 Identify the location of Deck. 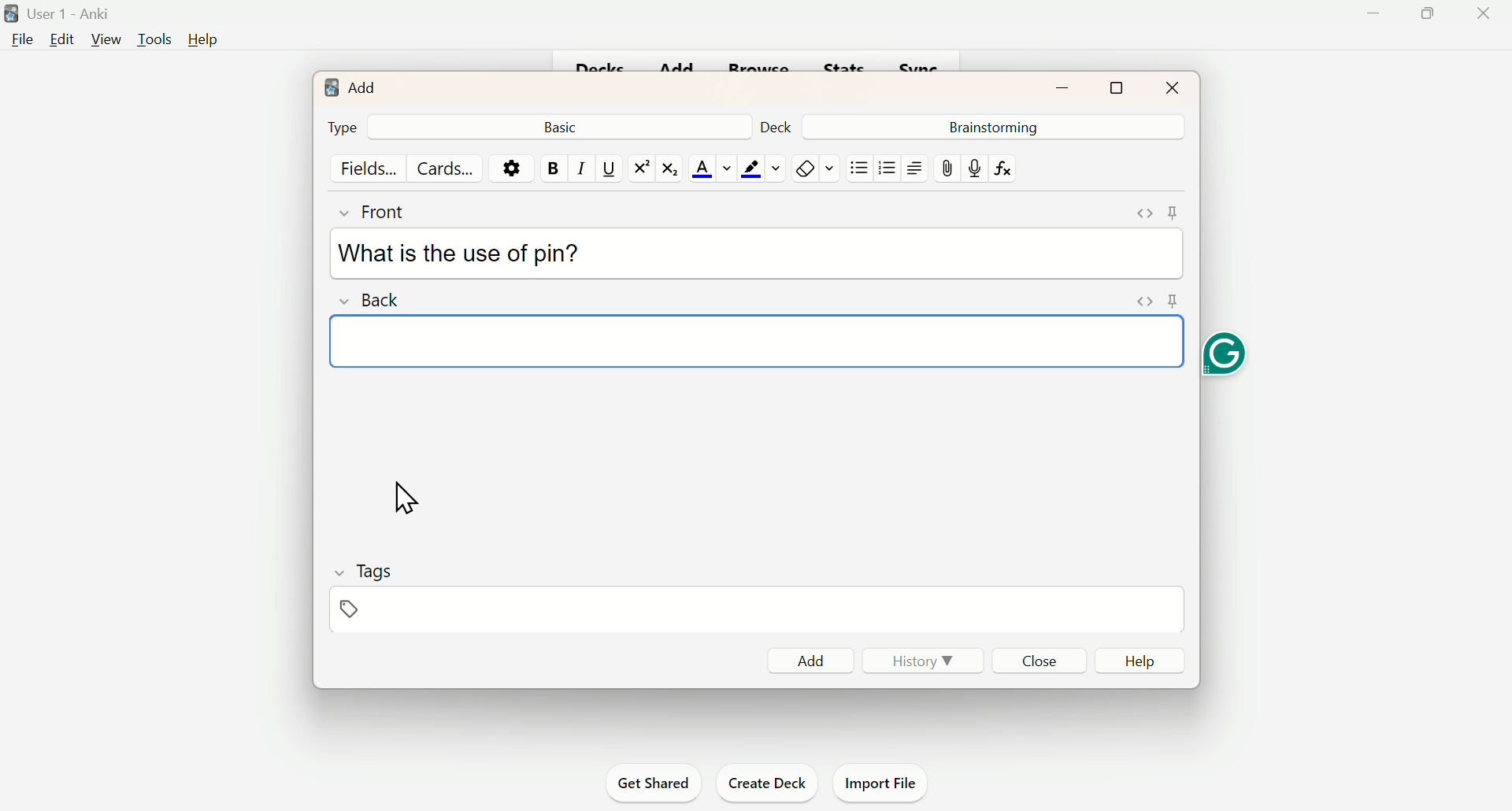
(782, 124).